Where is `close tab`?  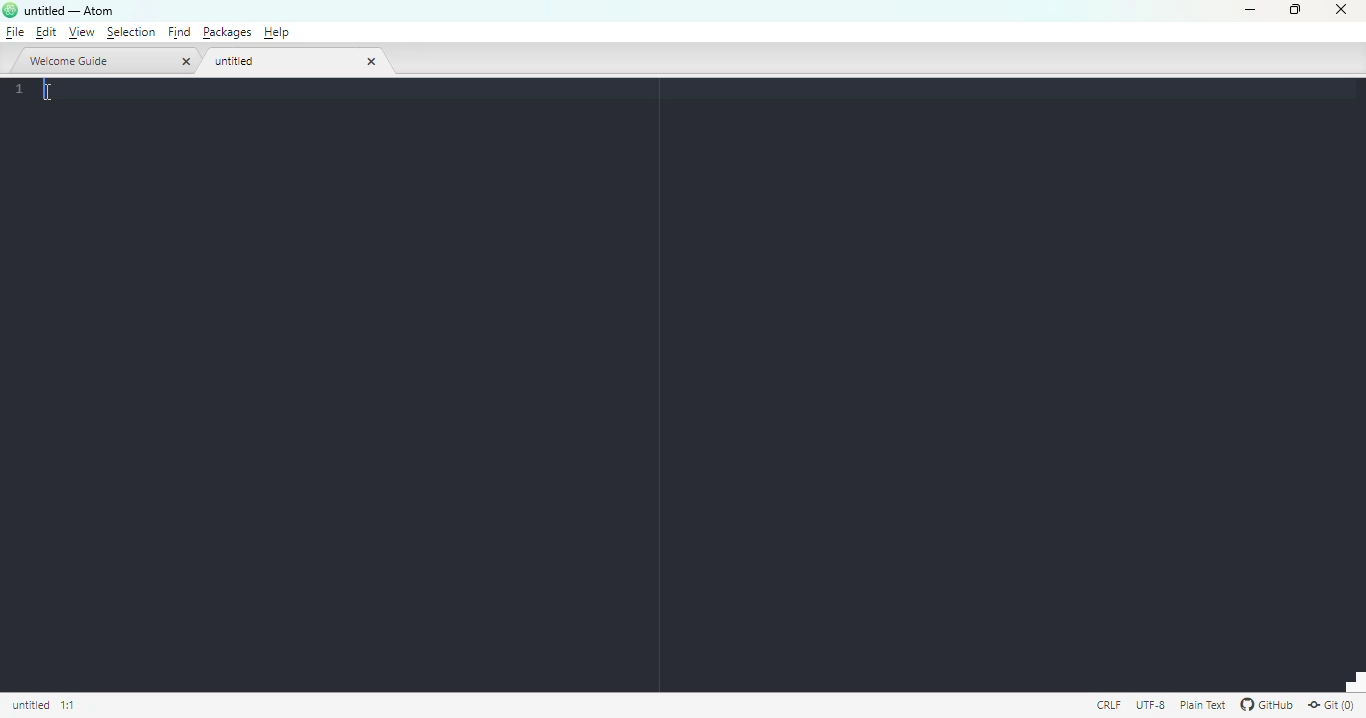 close tab is located at coordinates (372, 61).